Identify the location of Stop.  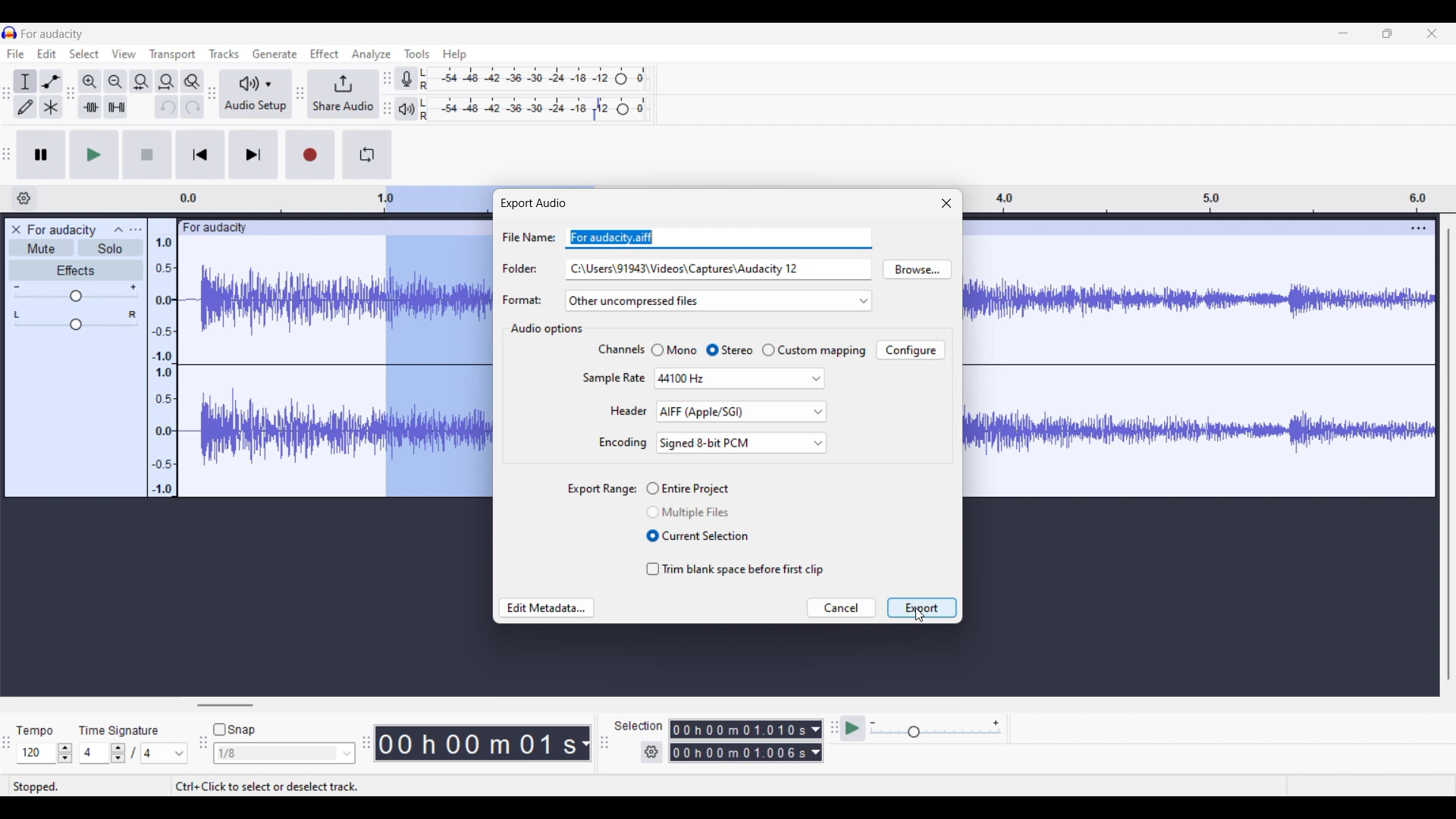
(148, 155).